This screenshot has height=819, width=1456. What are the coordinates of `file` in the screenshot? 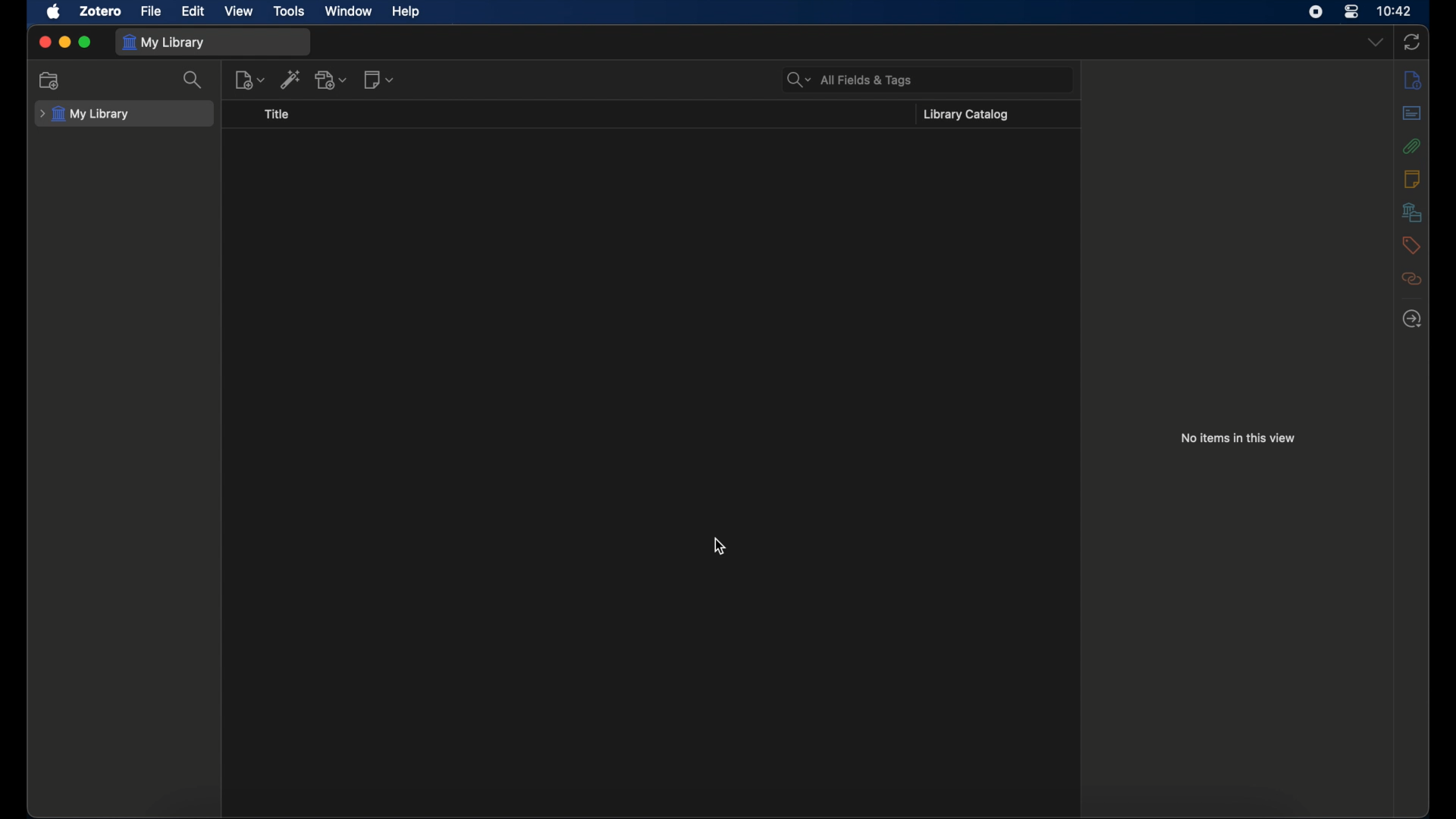 It's located at (151, 11).